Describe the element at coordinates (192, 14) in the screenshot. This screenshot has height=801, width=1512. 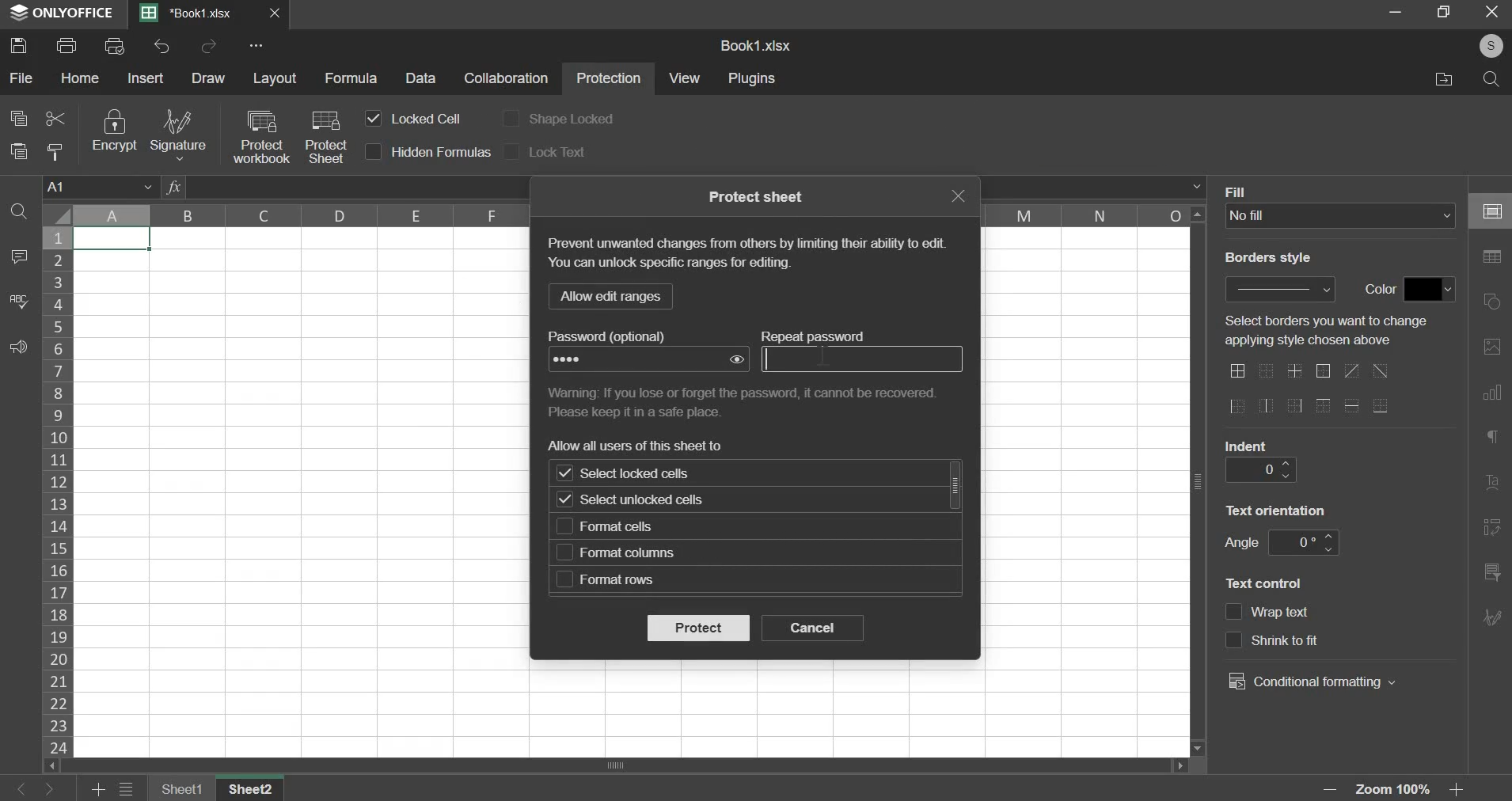
I see `Book1.xlsx` at that location.